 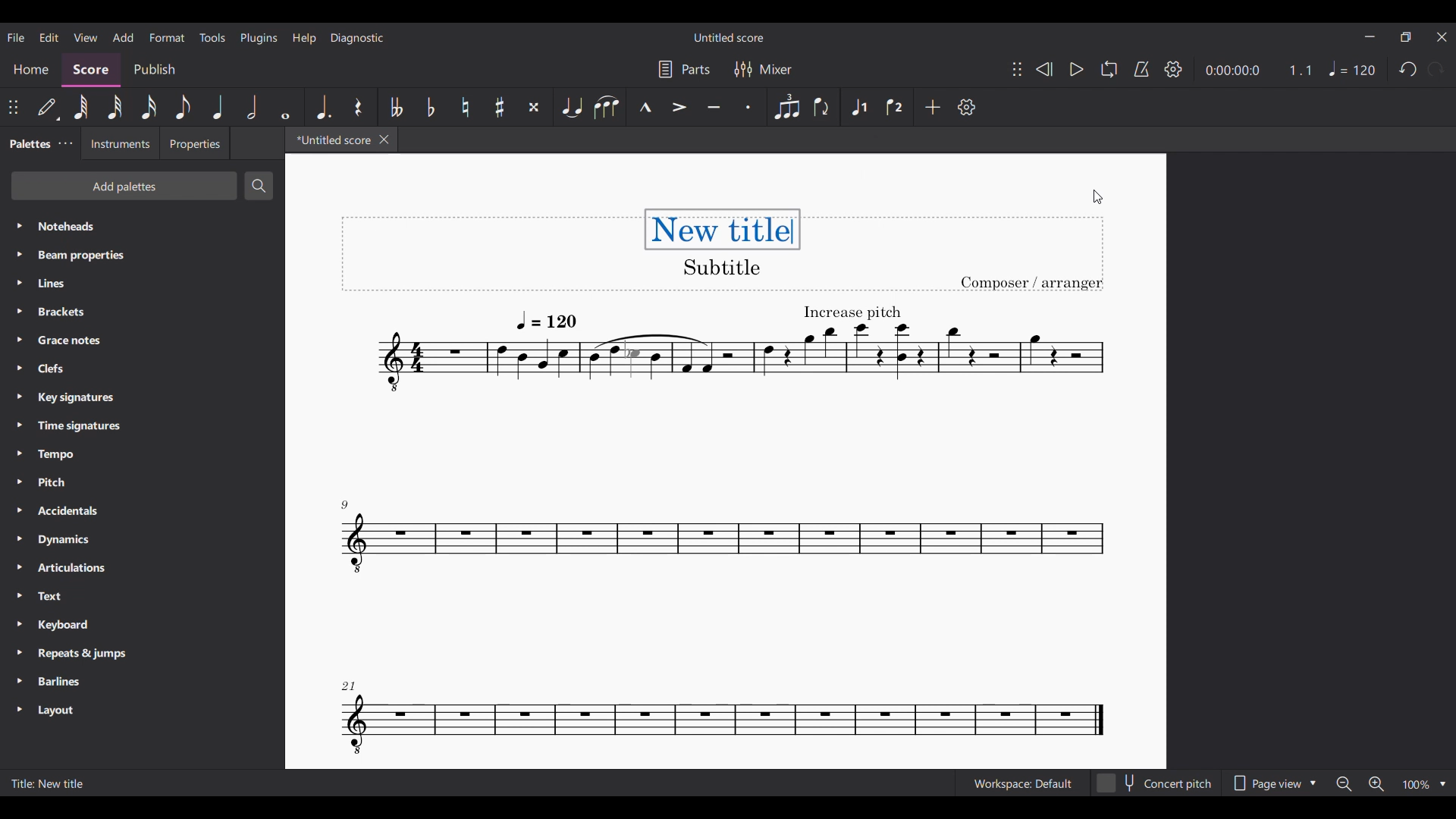 What do you see at coordinates (17, 38) in the screenshot?
I see `File menu` at bounding box center [17, 38].